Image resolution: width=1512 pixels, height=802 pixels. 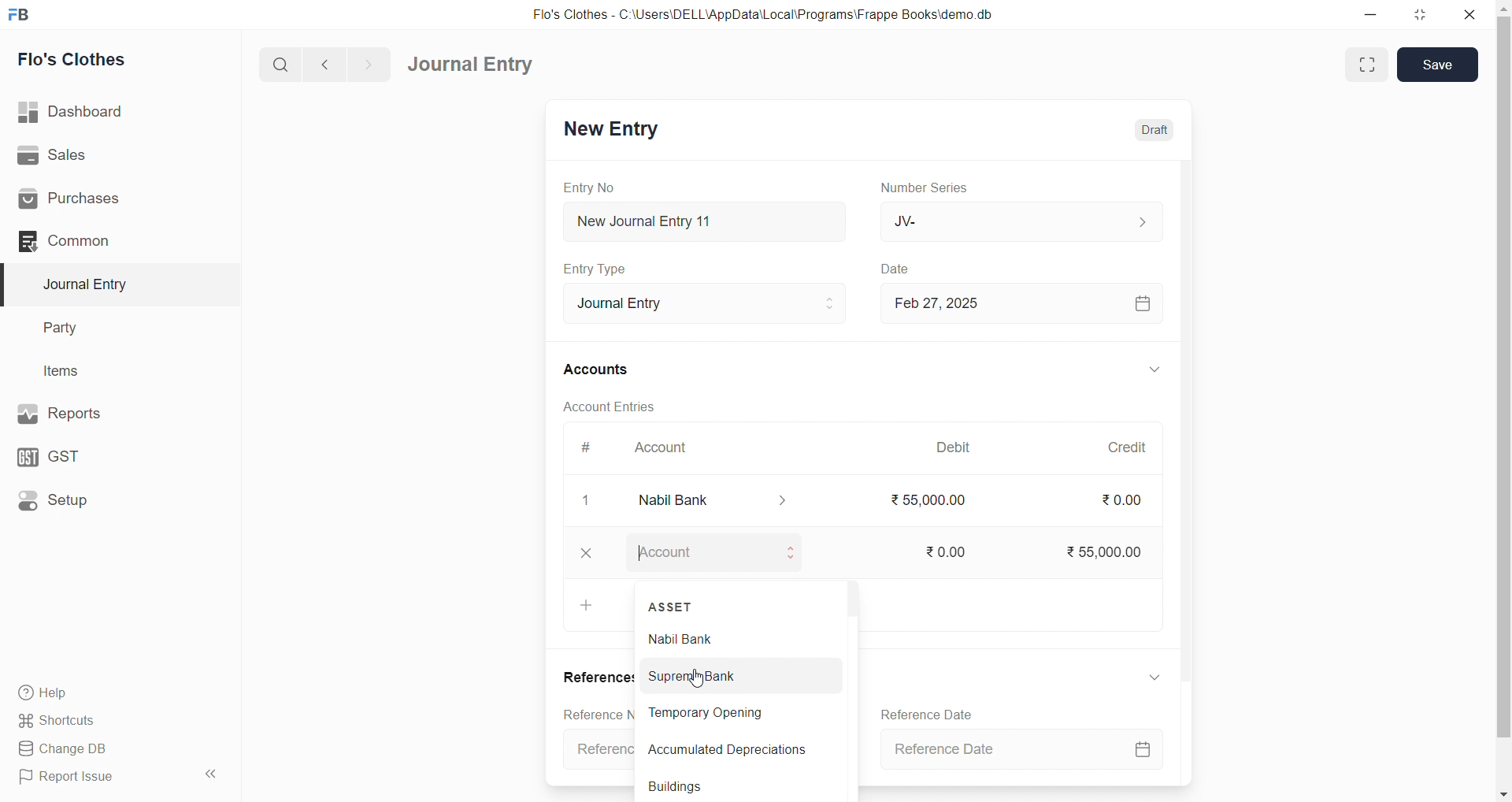 What do you see at coordinates (599, 747) in the screenshot?
I see `Reference Number` at bounding box center [599, 747].